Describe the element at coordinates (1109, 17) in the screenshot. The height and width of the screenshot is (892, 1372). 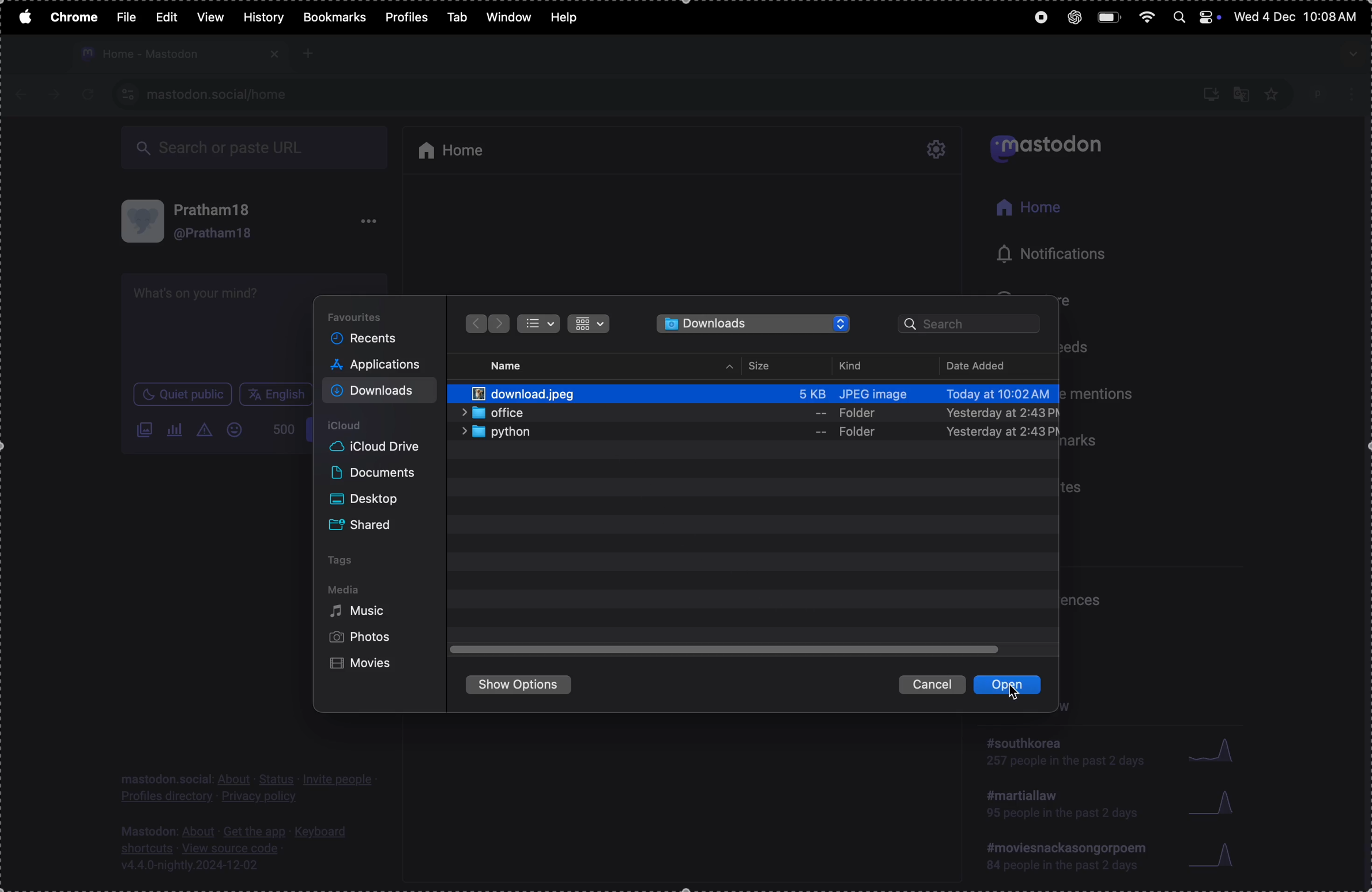
I see `battery` at that location.